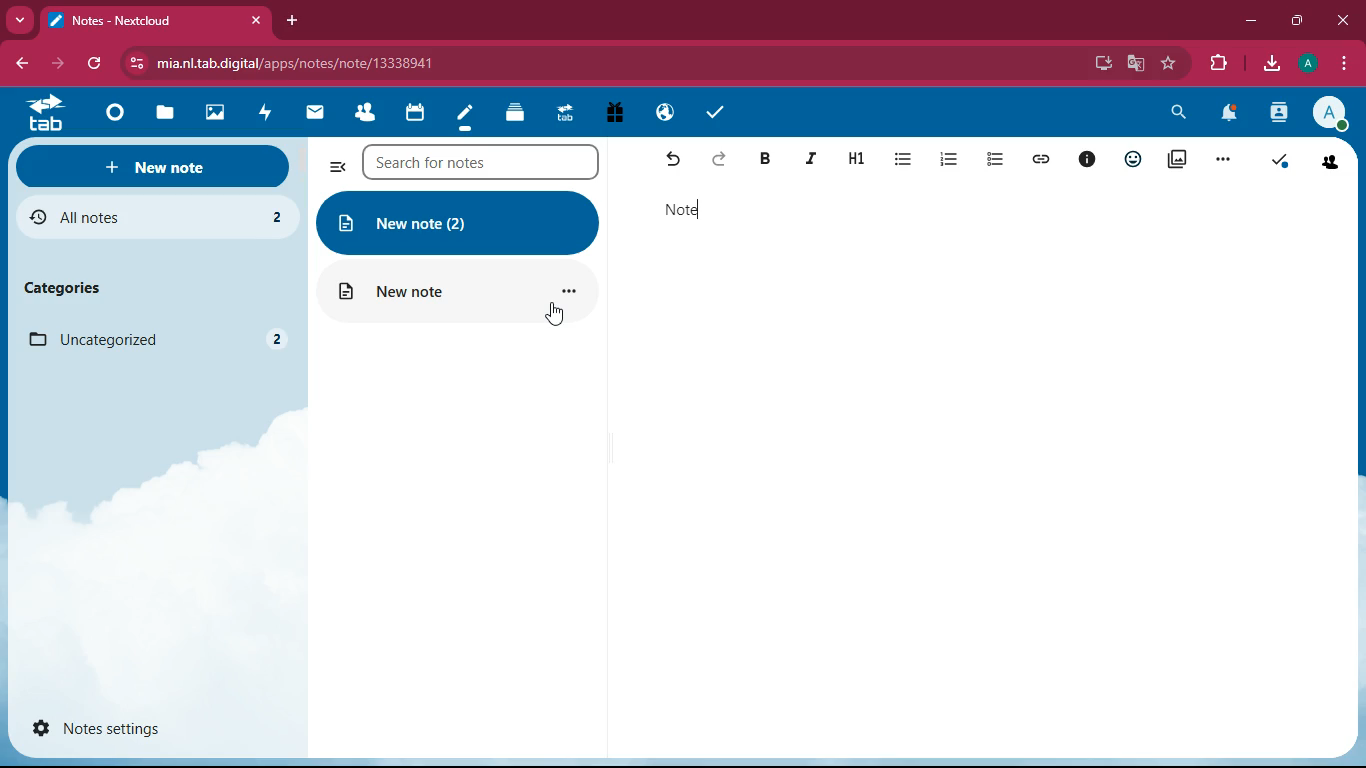 This screenshot has width=1366, height=768. What do you see at coordinates (1295, 20) in the screenshot?
I see `maximize` at bounding box center [1295, 20].